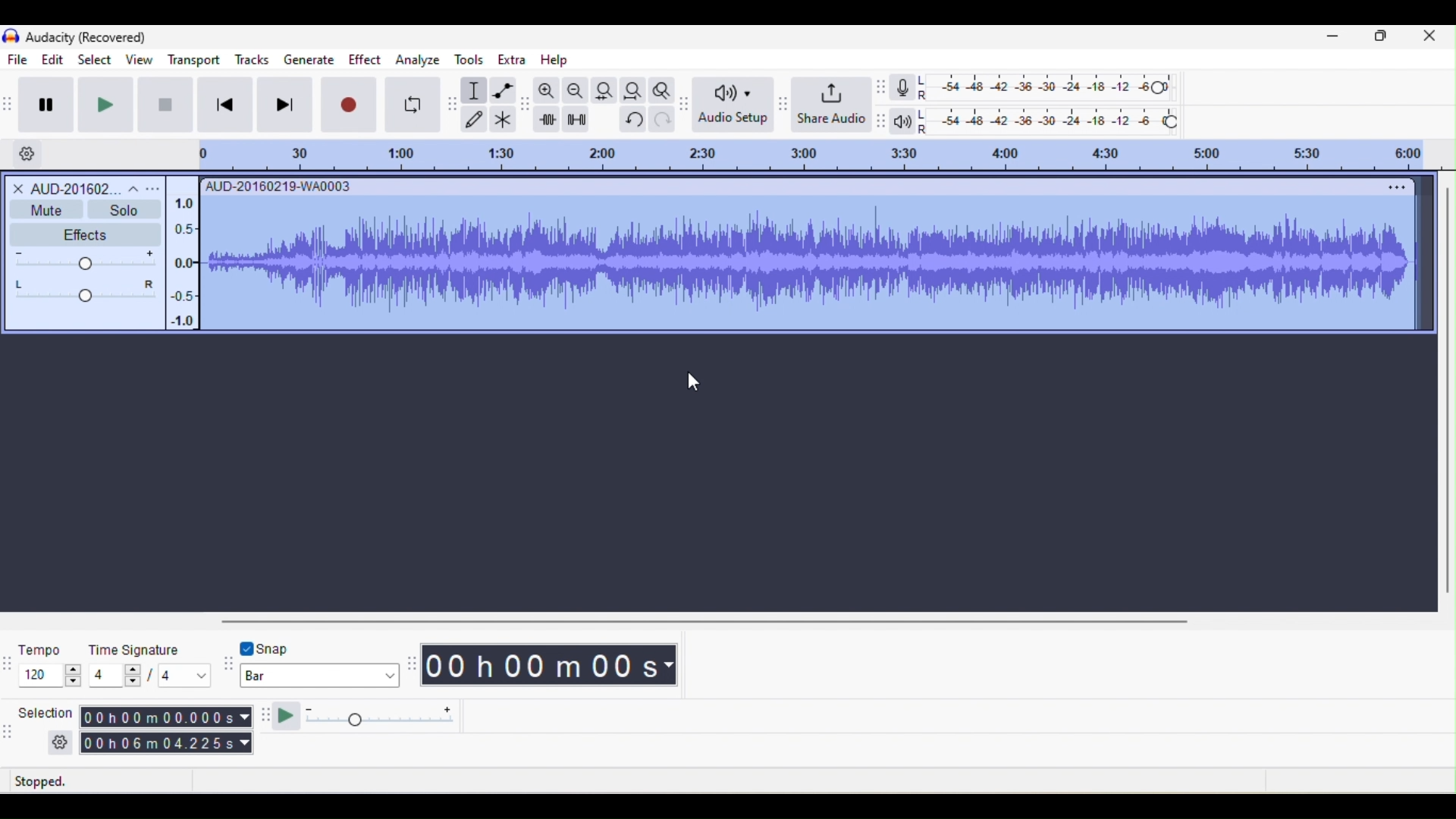 The image size is (1456, 819). I want to click on audacity edit toolbar, so click(526, 106).